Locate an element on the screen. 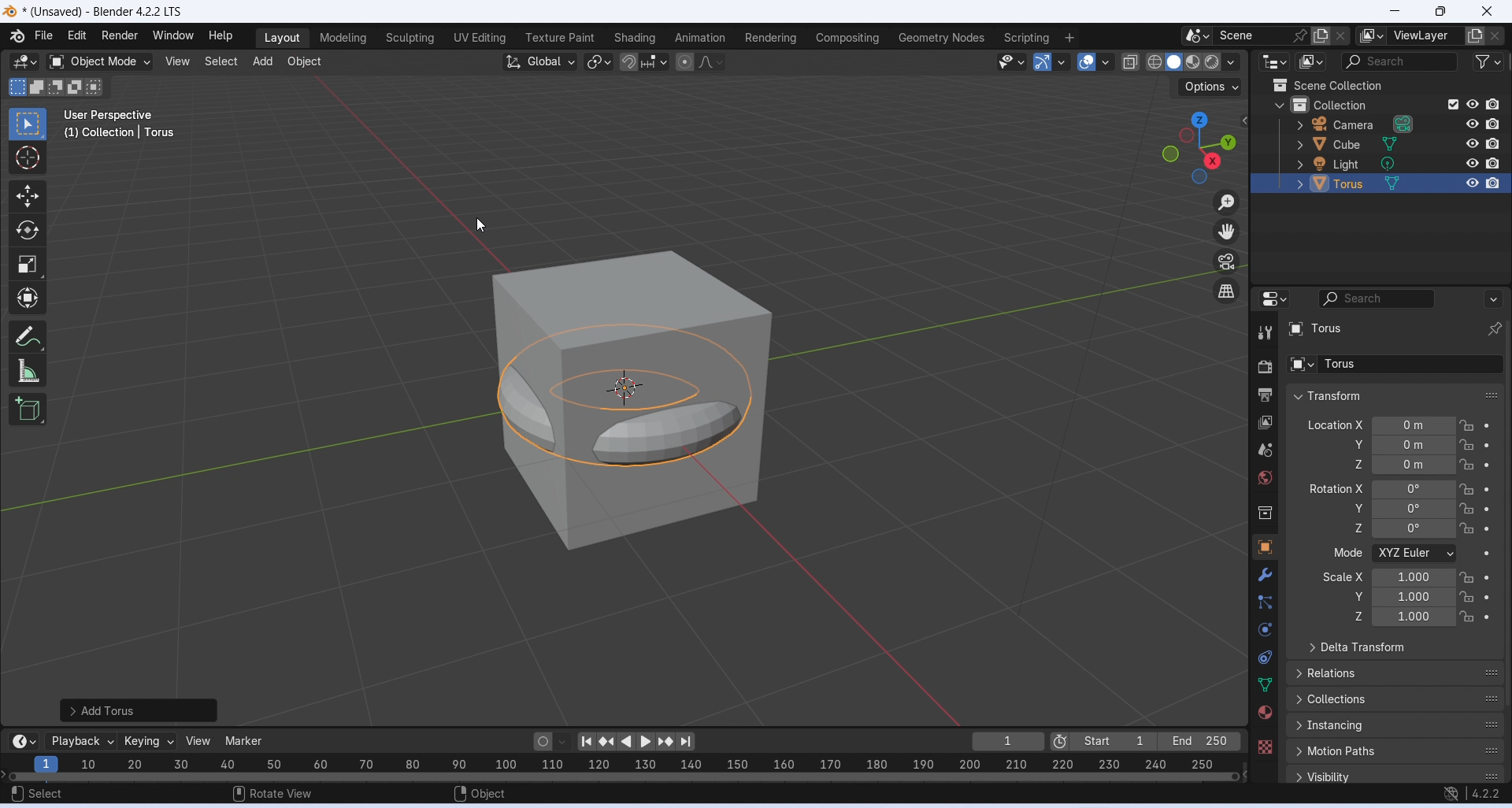 The image size is (1512, 808). Relations is located at coordinates (1397, 673).